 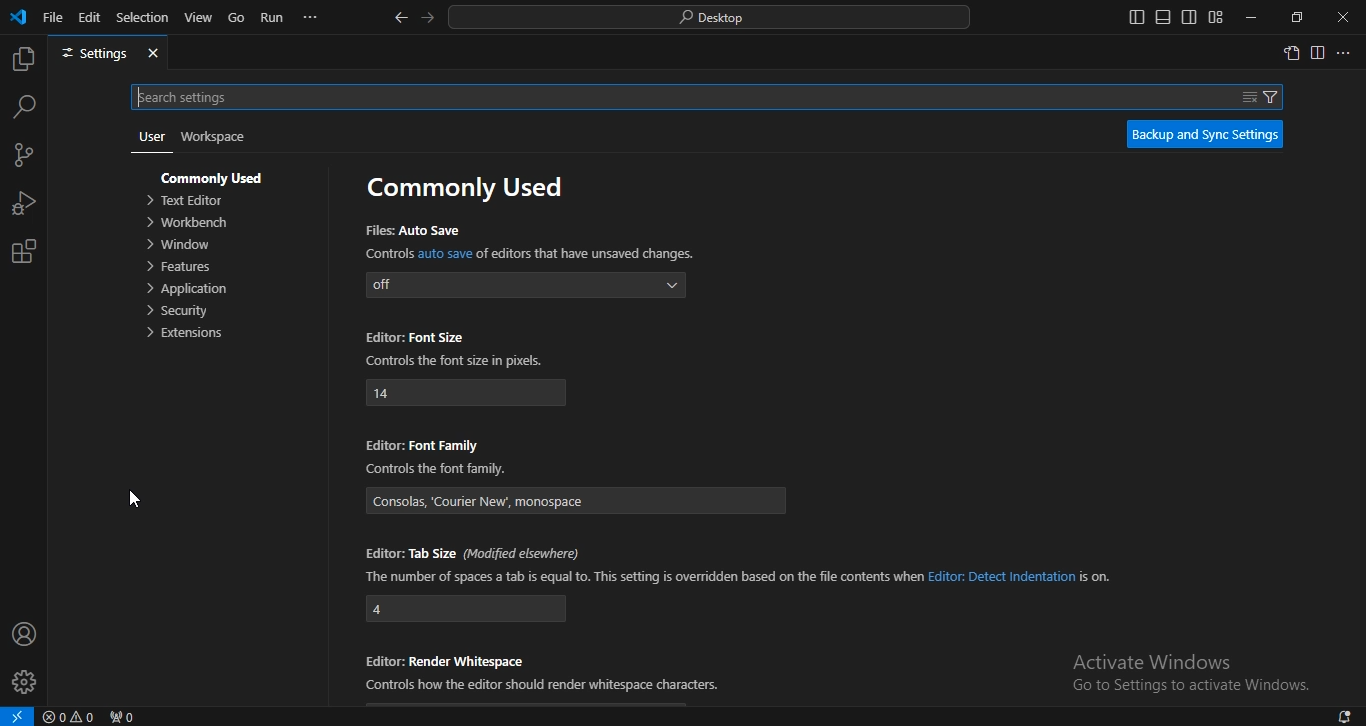 I want to click on filter settings, so click(x=1275, y=97).